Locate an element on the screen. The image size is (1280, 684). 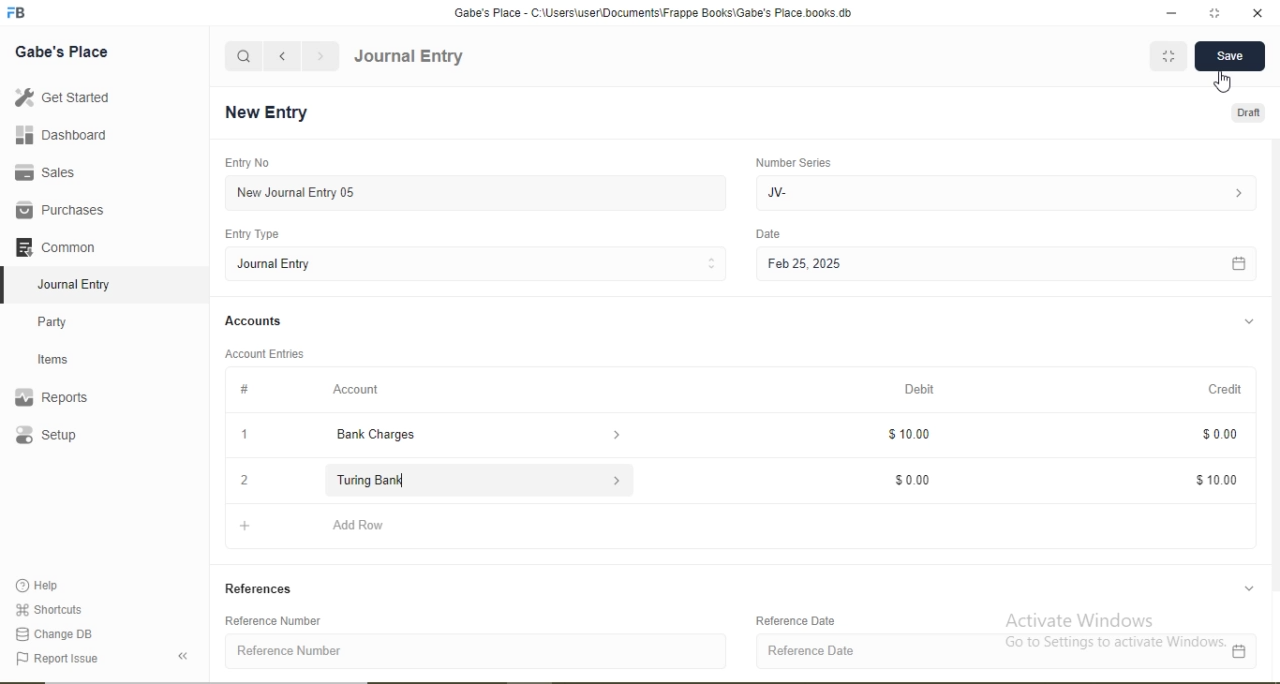
Account Entries is located at coordinates (263, 352).